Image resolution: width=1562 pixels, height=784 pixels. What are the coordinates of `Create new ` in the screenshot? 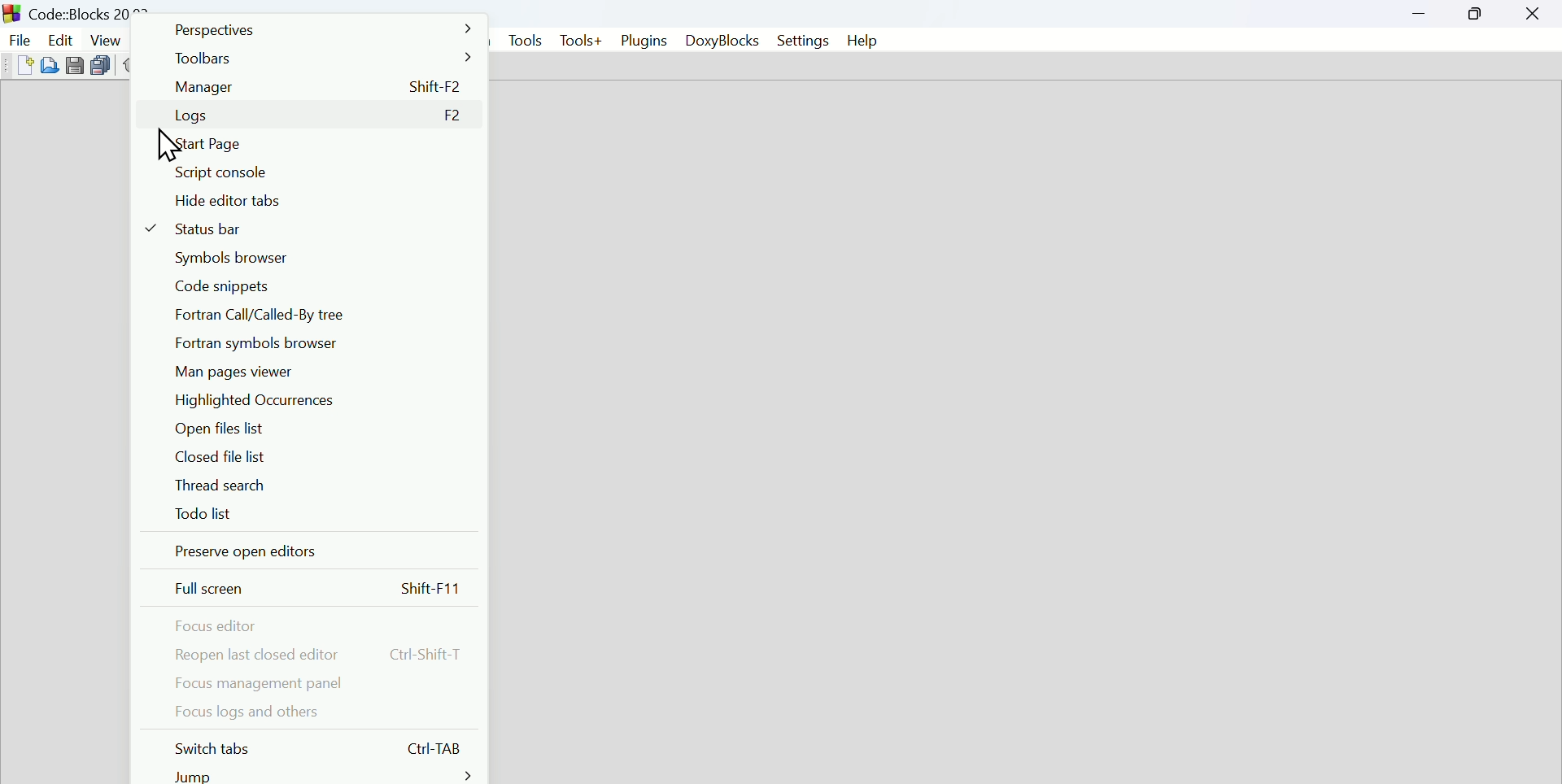 It's located at (25, 64).